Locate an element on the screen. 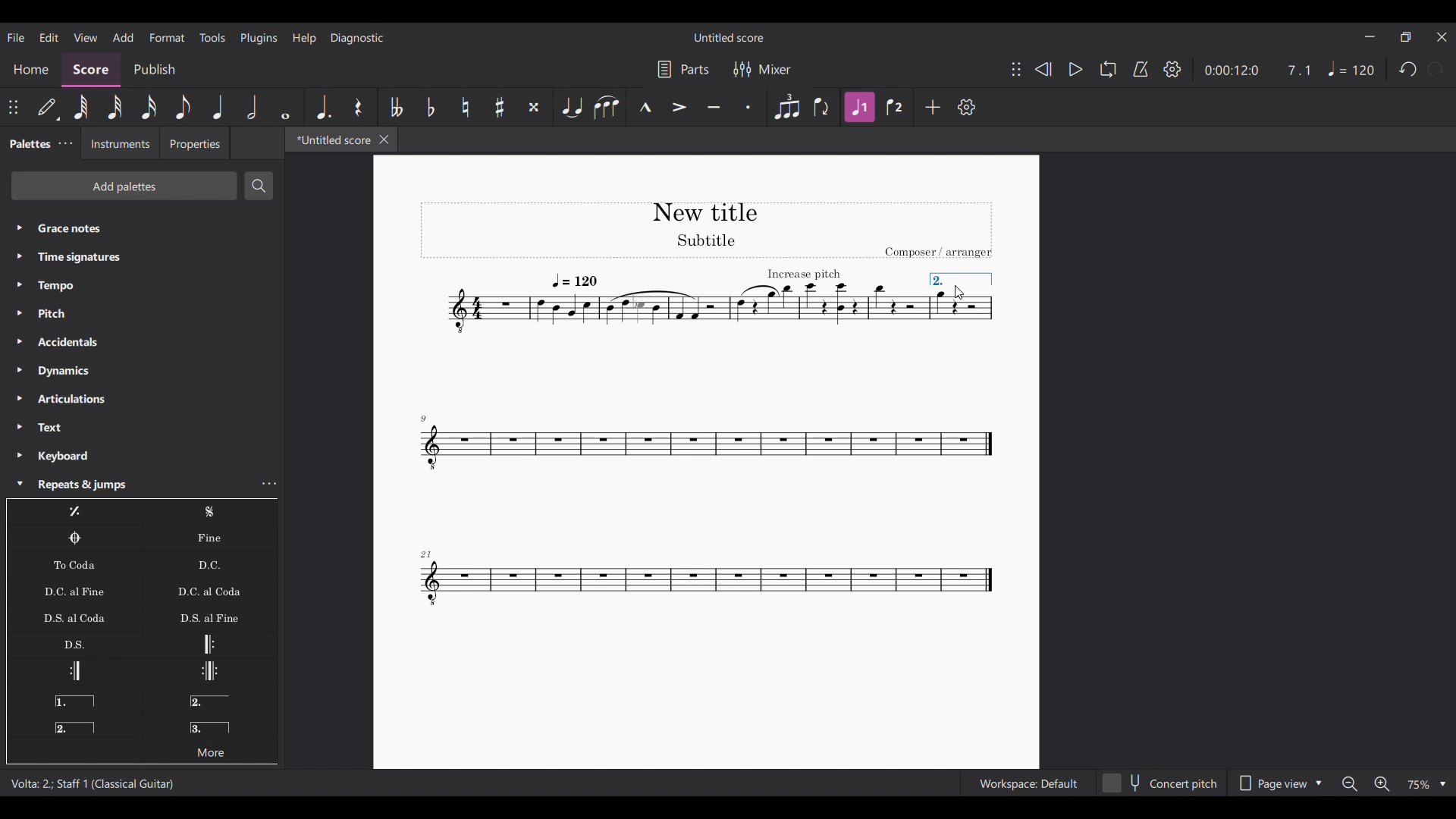 This screenshot has height=819, width=1456. Current ratio is located at coordinates (1298, 71).